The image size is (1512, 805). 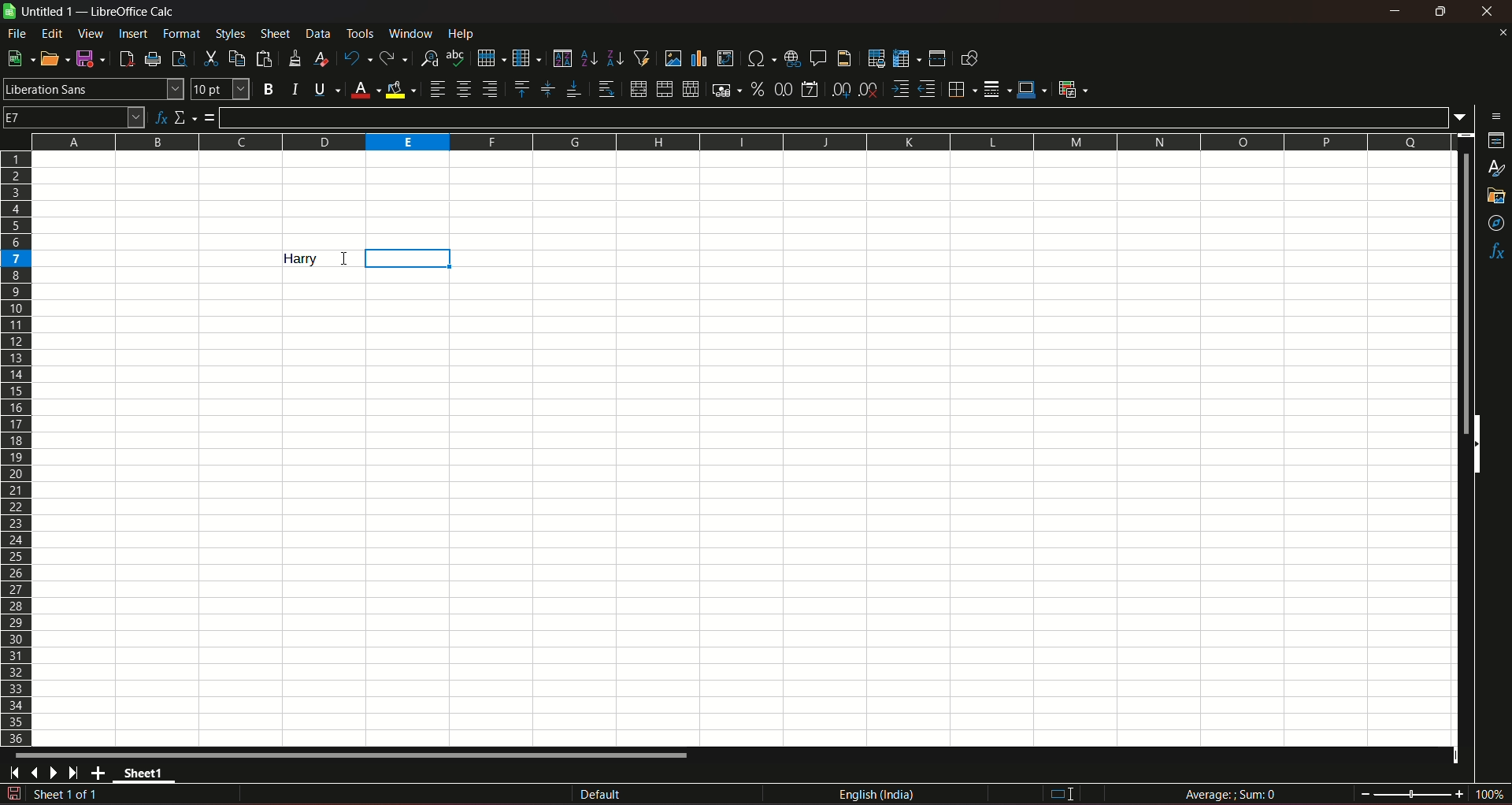 I want to click on conditional, so click(x=1072, y=88).